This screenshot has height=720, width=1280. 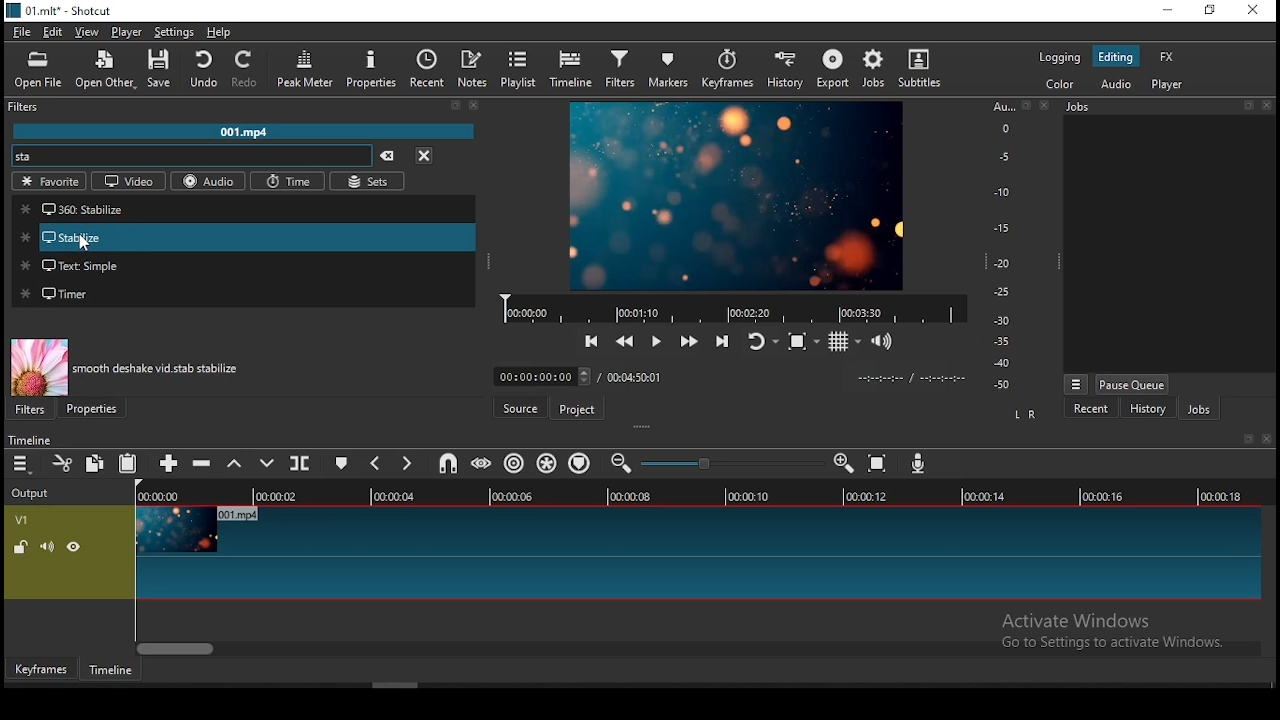 What do you see at coordinates (1058, 56) in the screenshot?
I see `logging` at bounding box center [1058, 56].